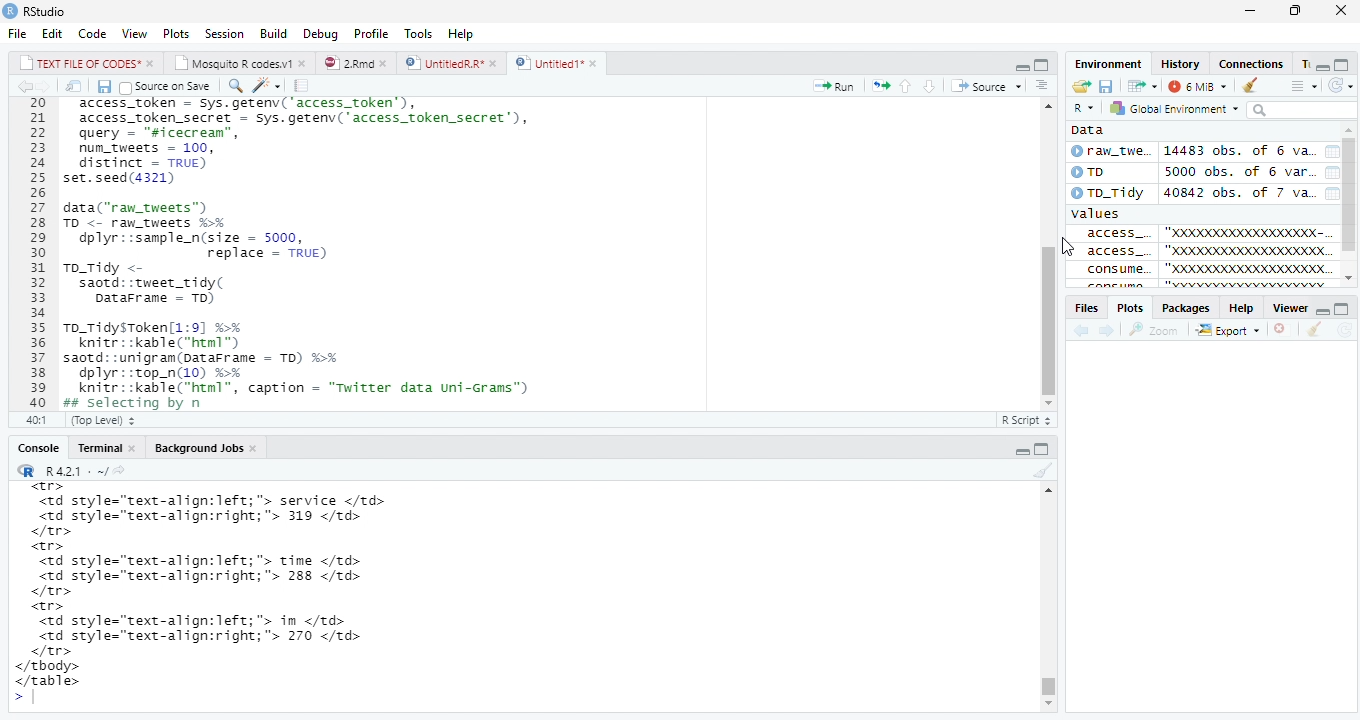 The width and height of the screenshot is (1360, 720). I want to click on show outline, so click(1301, 85).